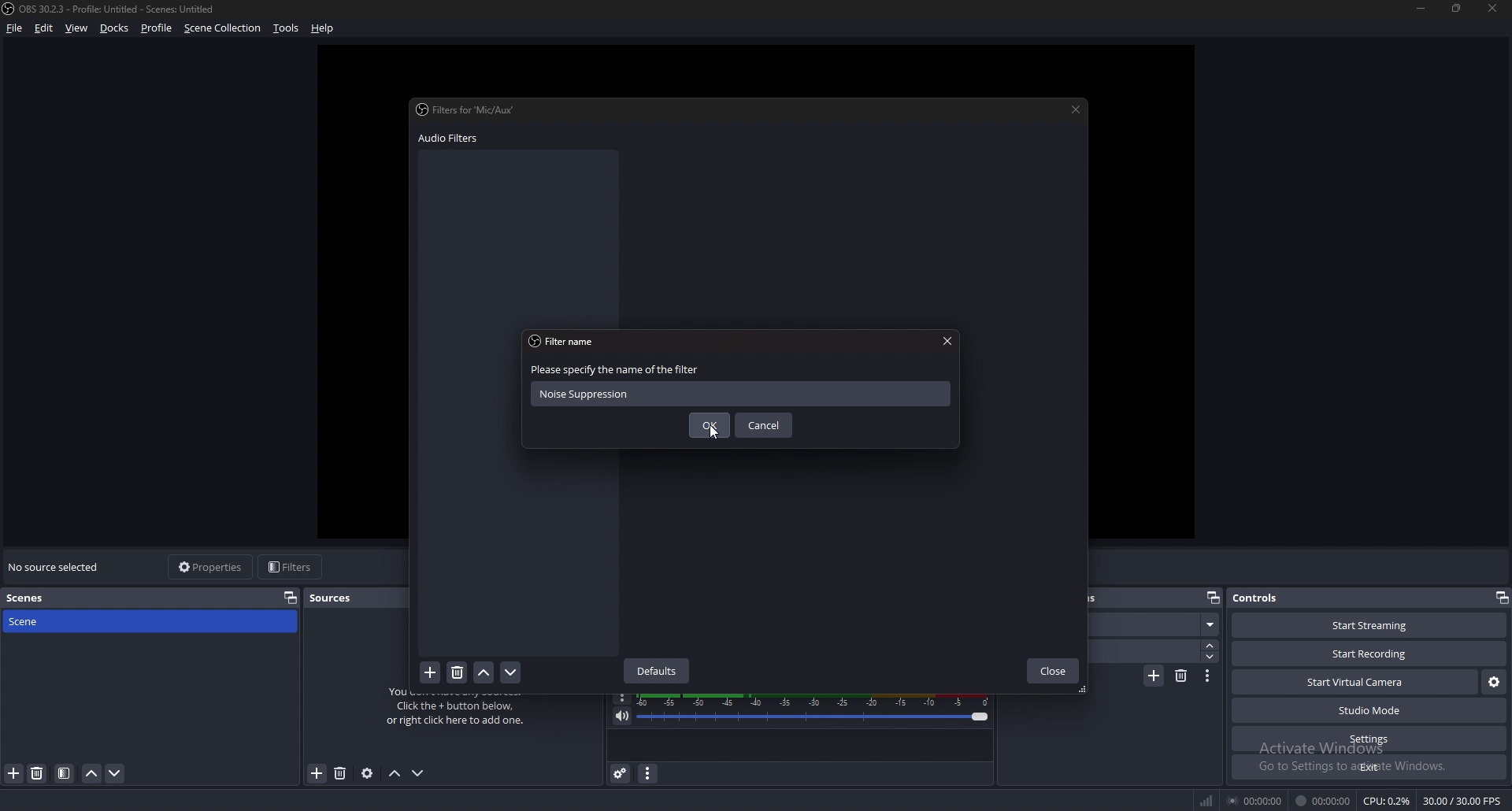  What do you see at coordinates (114, 28) in the screenshot?
I see `docks` at bounding box center [114, 28].